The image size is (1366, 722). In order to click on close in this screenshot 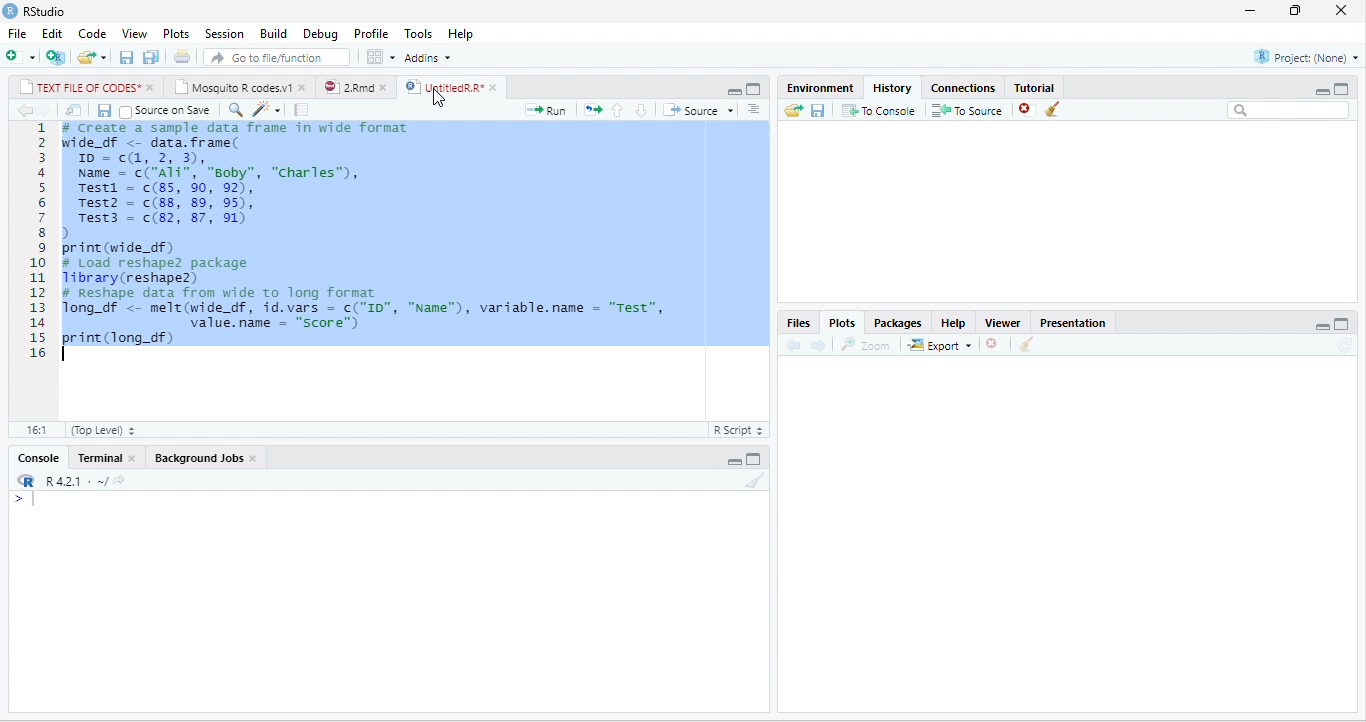, I will do `click(254, 459)`.